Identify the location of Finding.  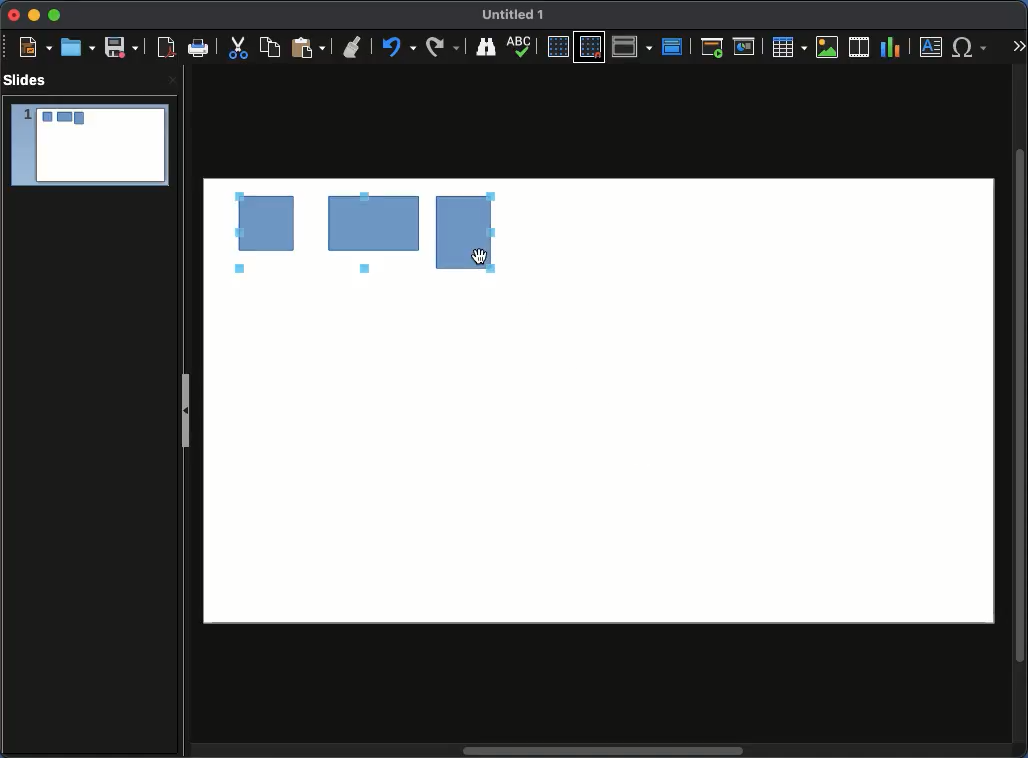
(443, 47).